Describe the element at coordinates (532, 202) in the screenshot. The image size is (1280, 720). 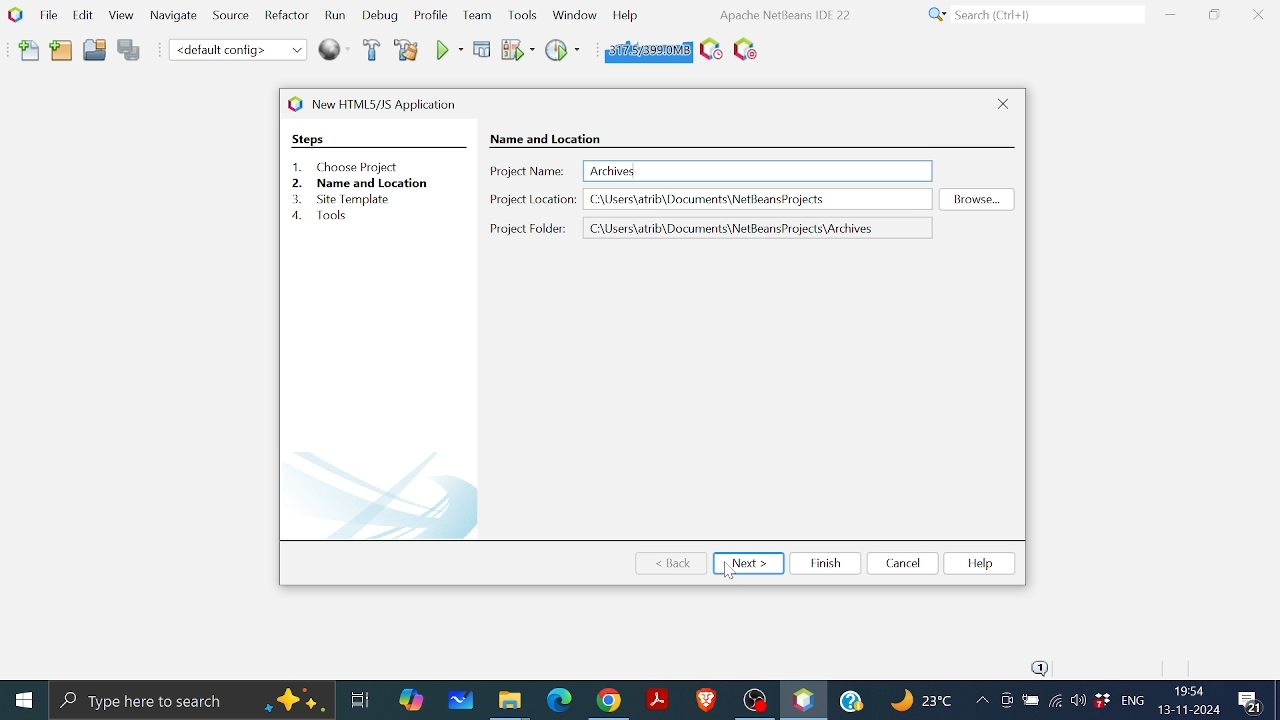
I see `Project Location:` at that location.